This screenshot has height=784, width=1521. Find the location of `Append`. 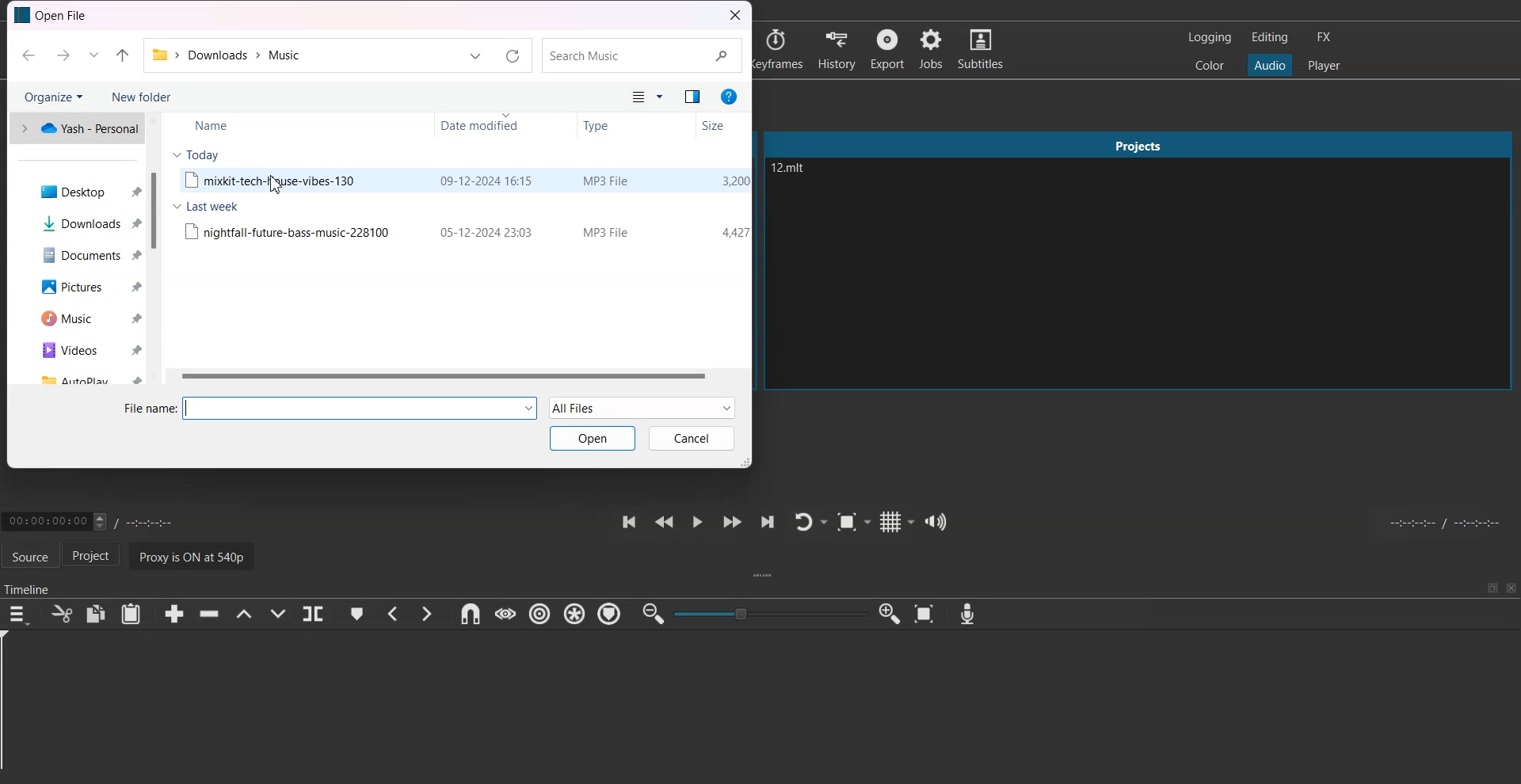

Append is located at coordinates (173, 614).